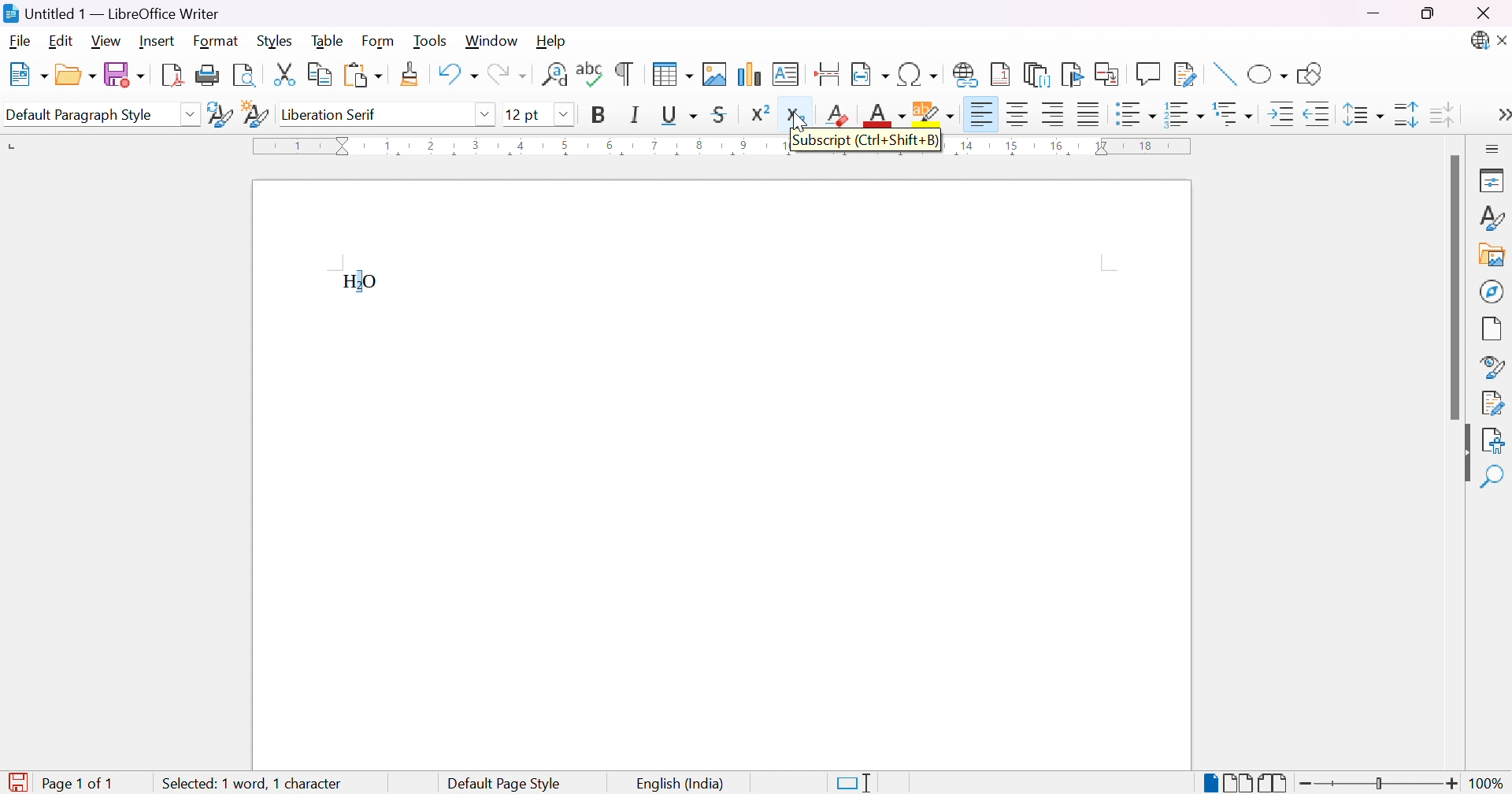 The height and width of the screenshot is (794, 1512). Describe the element at coordinates (1460, 455) in the screenshot. I see `Hide` at that location.